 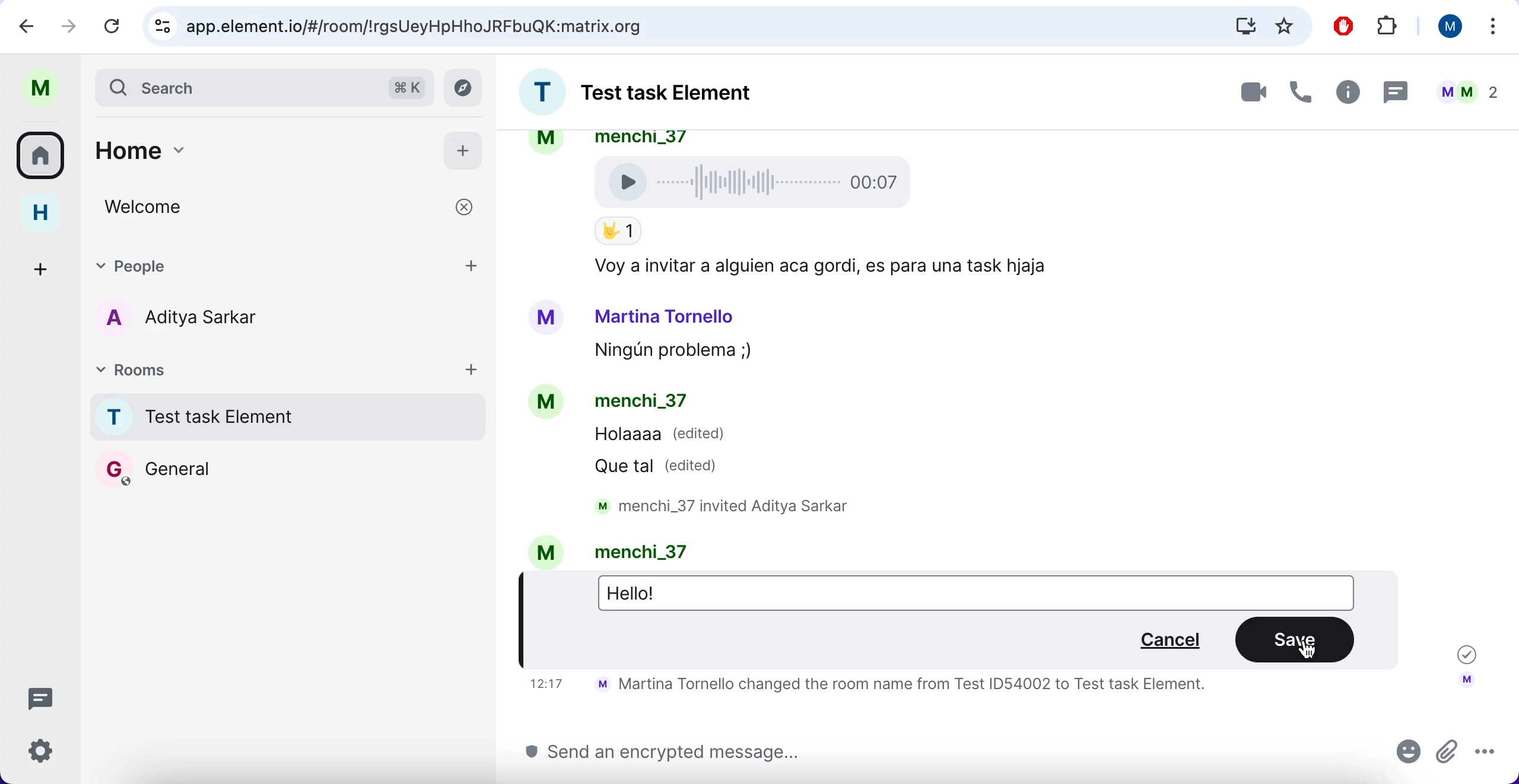 I want to click on video call, so click(x=1238, y=93).